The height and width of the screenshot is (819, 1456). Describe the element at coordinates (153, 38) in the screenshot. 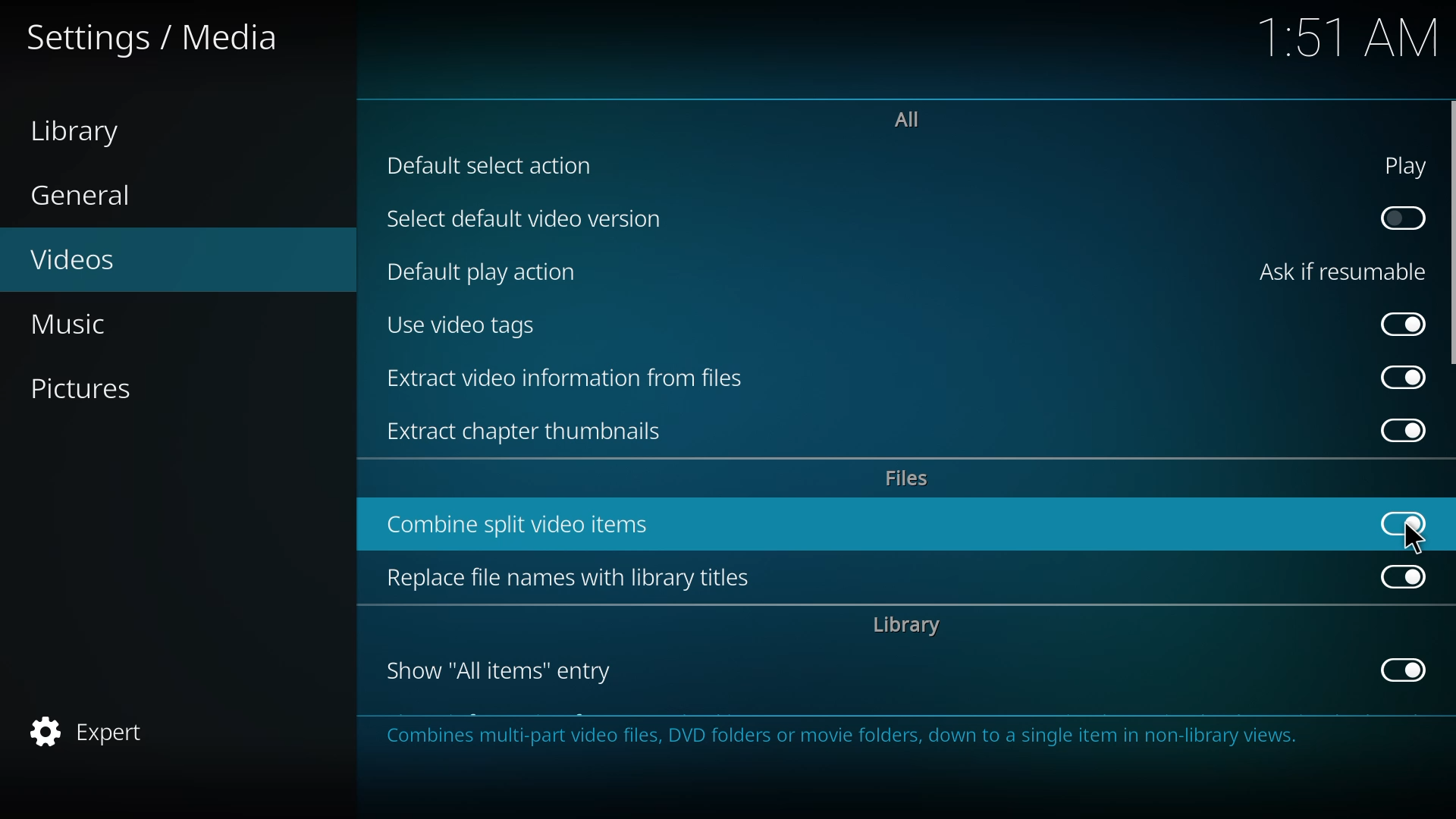

I see `settings media` at that location.